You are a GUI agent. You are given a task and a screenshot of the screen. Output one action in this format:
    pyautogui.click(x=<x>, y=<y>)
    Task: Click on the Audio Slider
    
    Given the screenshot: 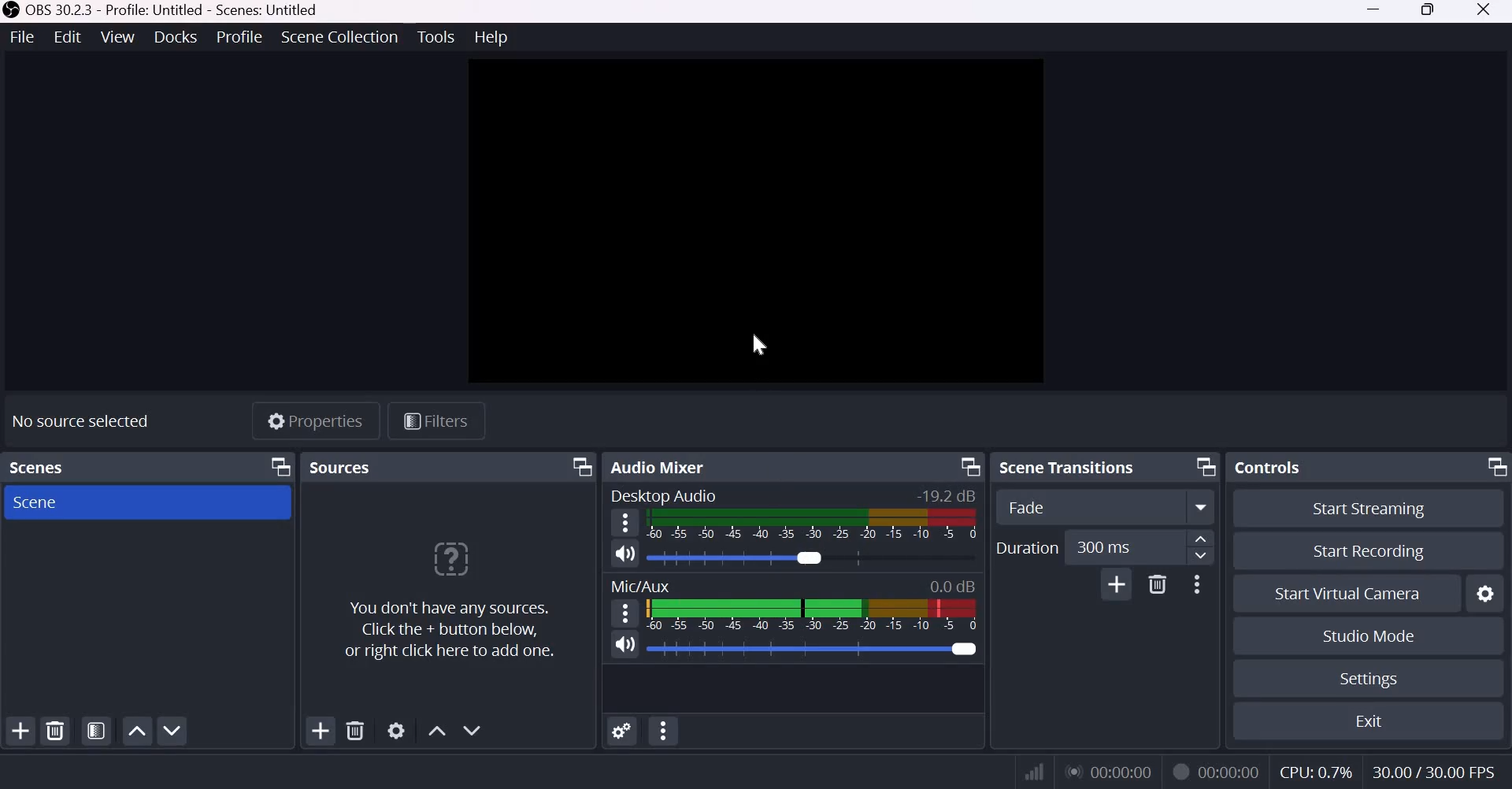 What is the action you would take?
    pyautogui.click(x=819, y=647)
    